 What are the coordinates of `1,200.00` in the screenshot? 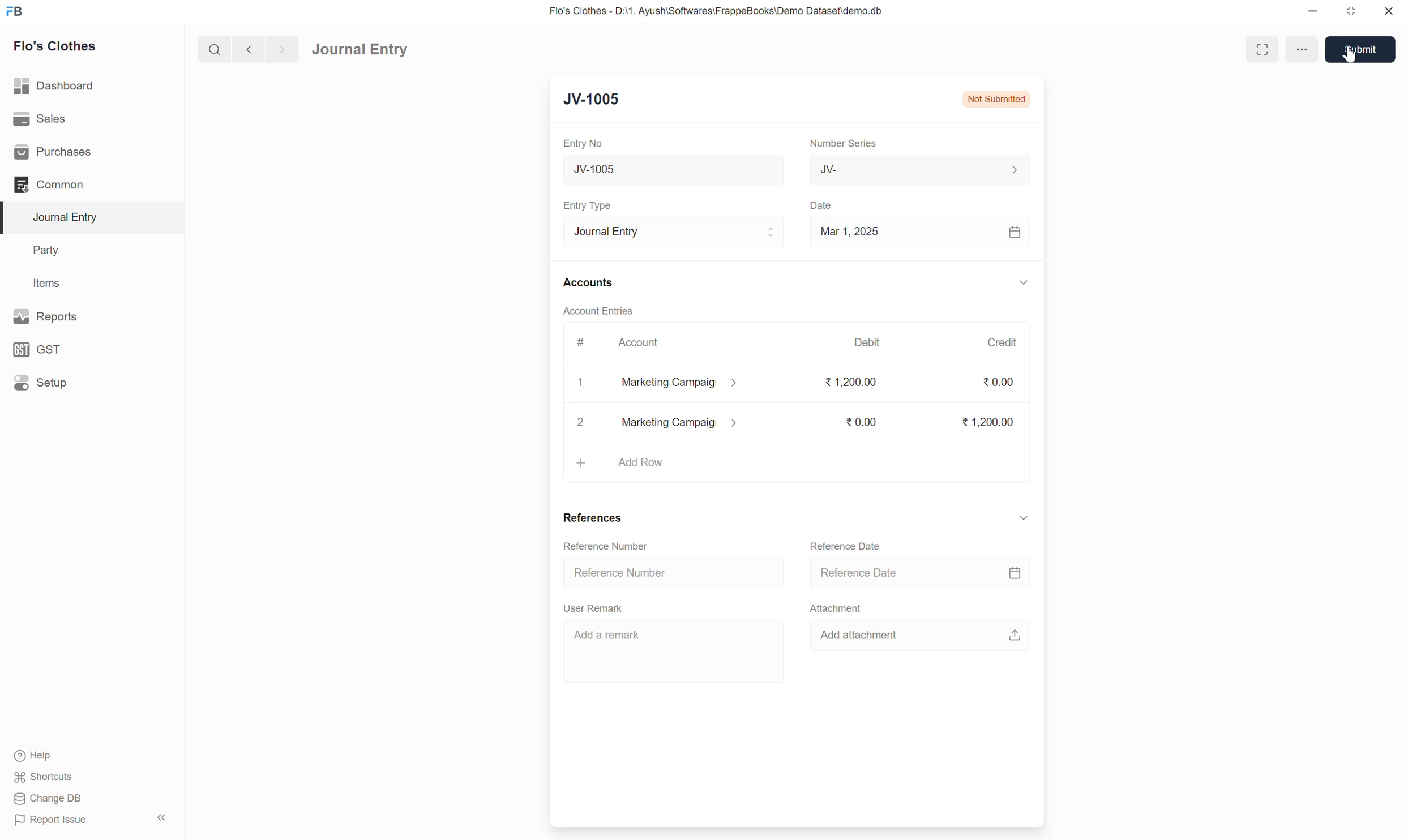 It's located at (987, 422).